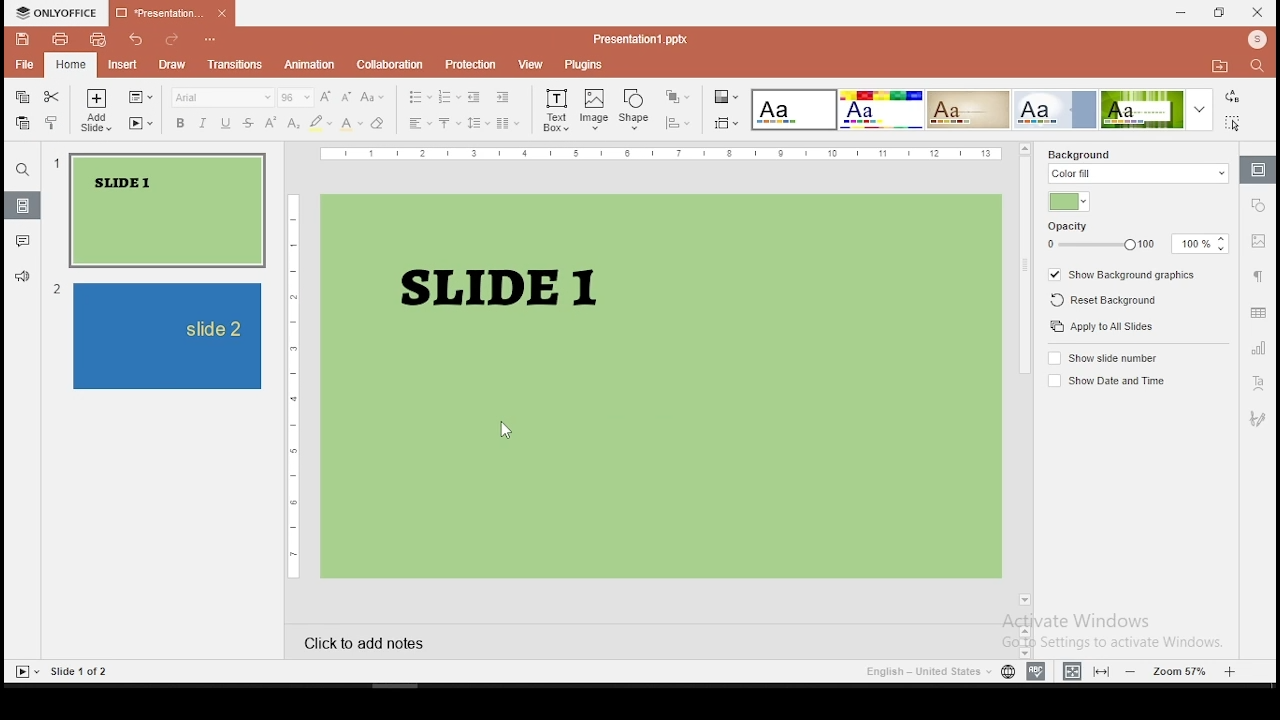 This screenshot has height=720, width=1280. What do you see at coordinates (1026, 639) in the screenshot?
I see `Scrollbar` at bounding box center [1026, 639].